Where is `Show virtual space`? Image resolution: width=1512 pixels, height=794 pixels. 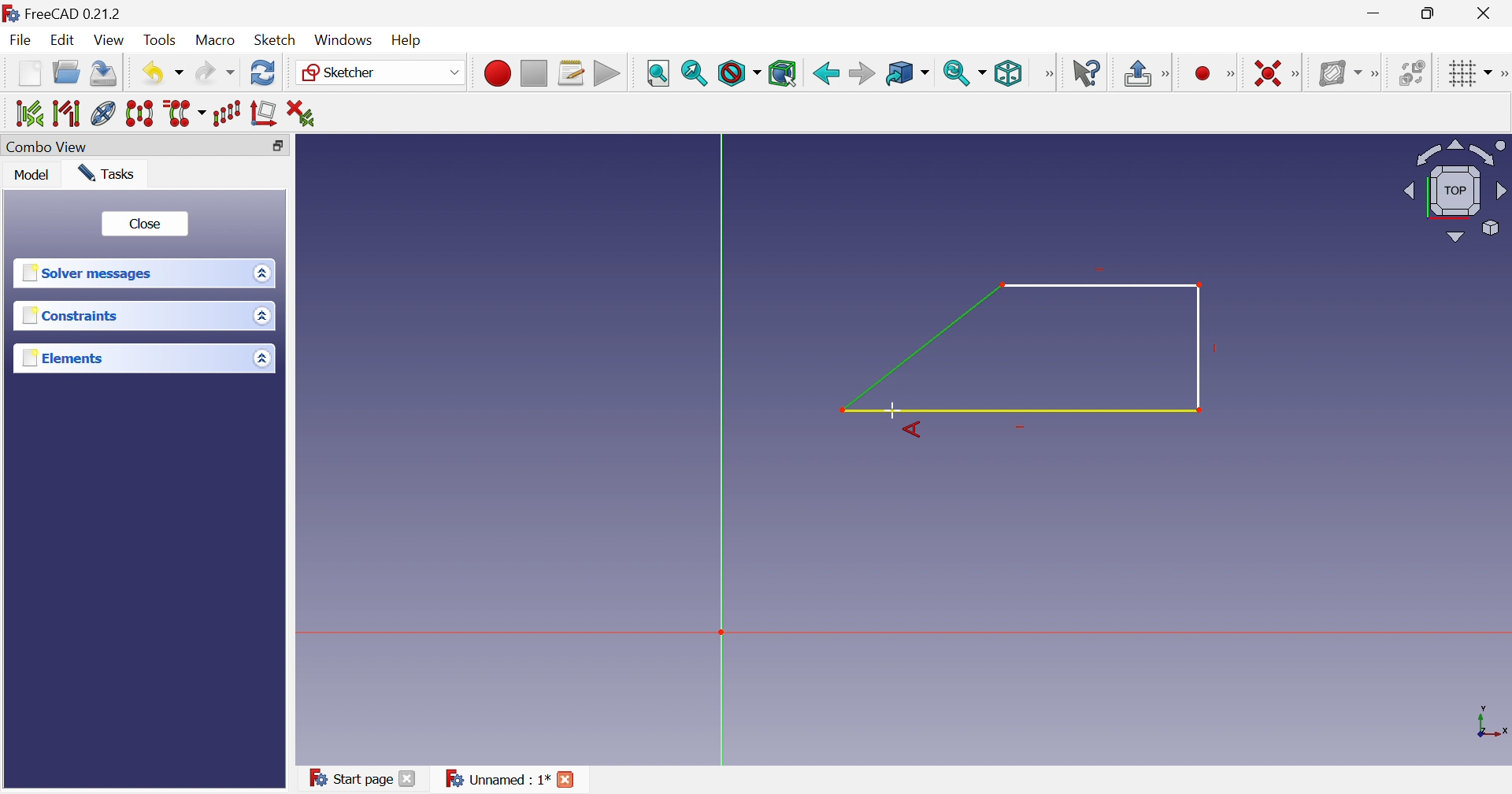
Show virtual space is located at coordinates (1411, 72).